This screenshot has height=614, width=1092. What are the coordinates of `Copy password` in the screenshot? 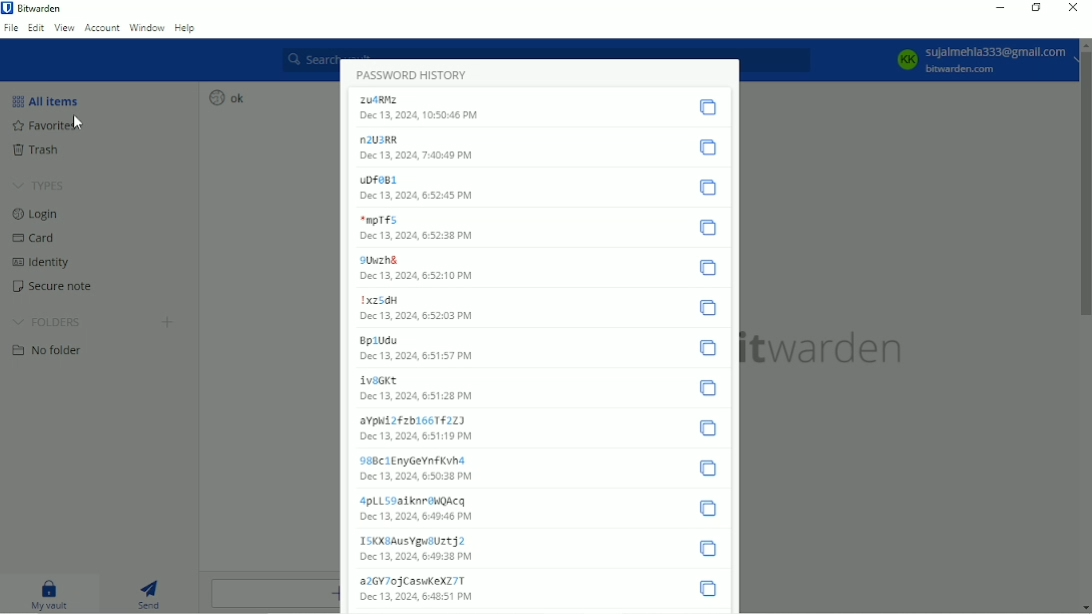 It's located at (708, 189).